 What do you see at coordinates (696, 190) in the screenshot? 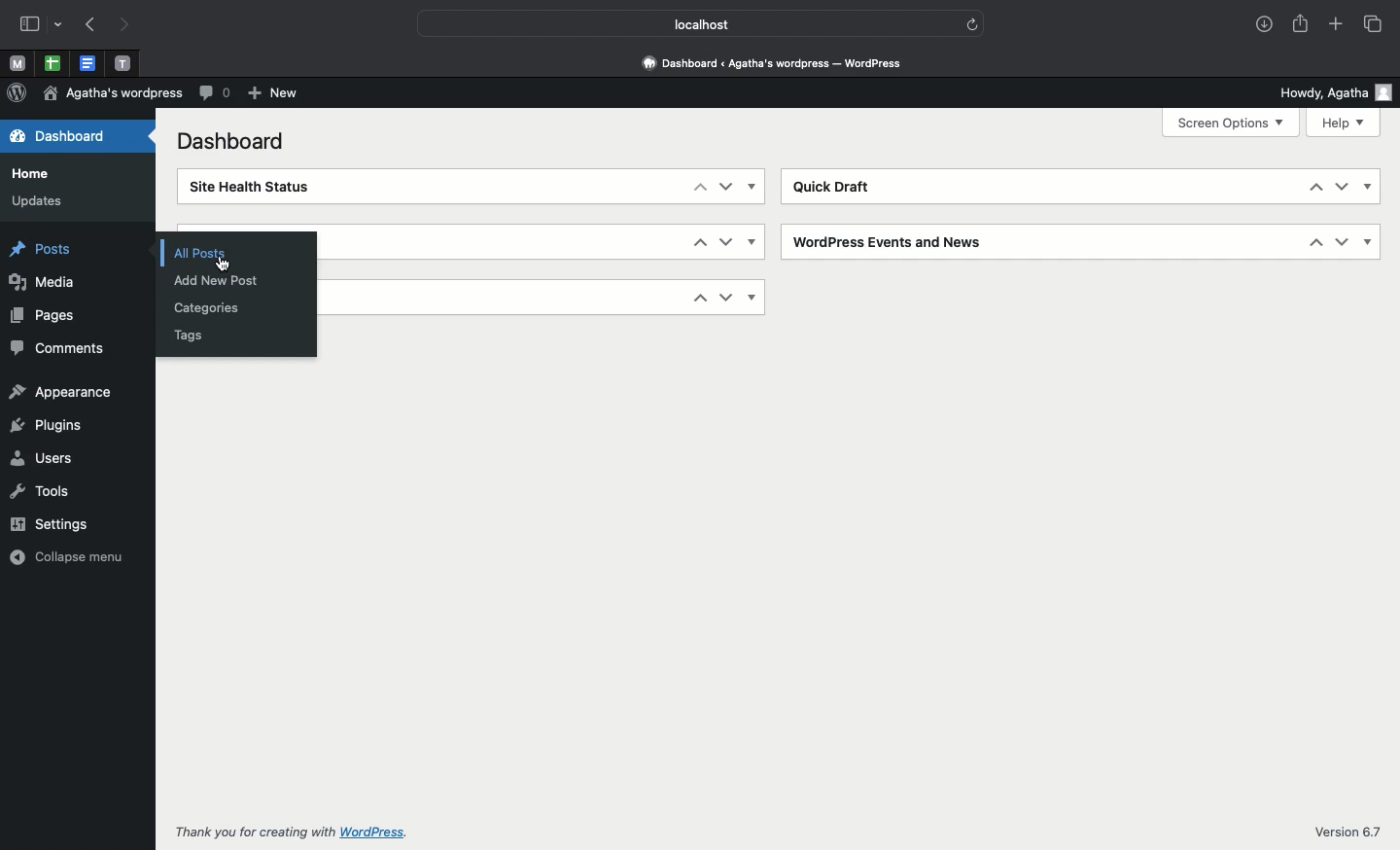
I see `` at bounding box center [696, 190].